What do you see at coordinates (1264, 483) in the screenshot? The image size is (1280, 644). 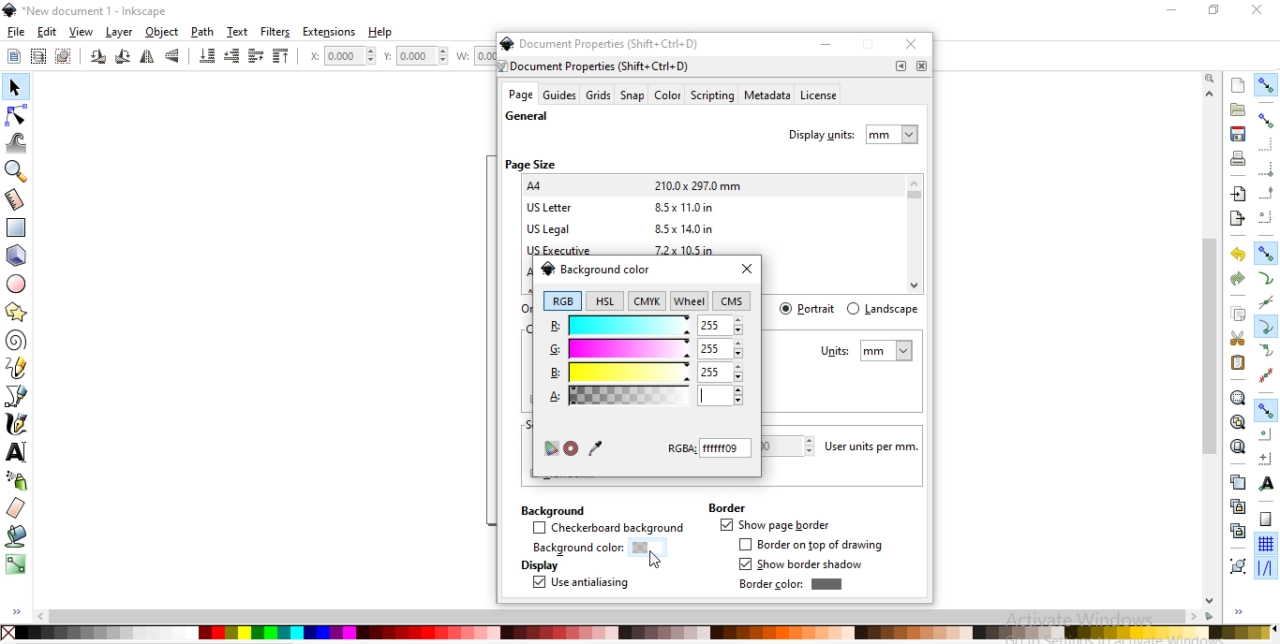 I see `snap text anchors and baselines` at bounding box center [1264, 483].